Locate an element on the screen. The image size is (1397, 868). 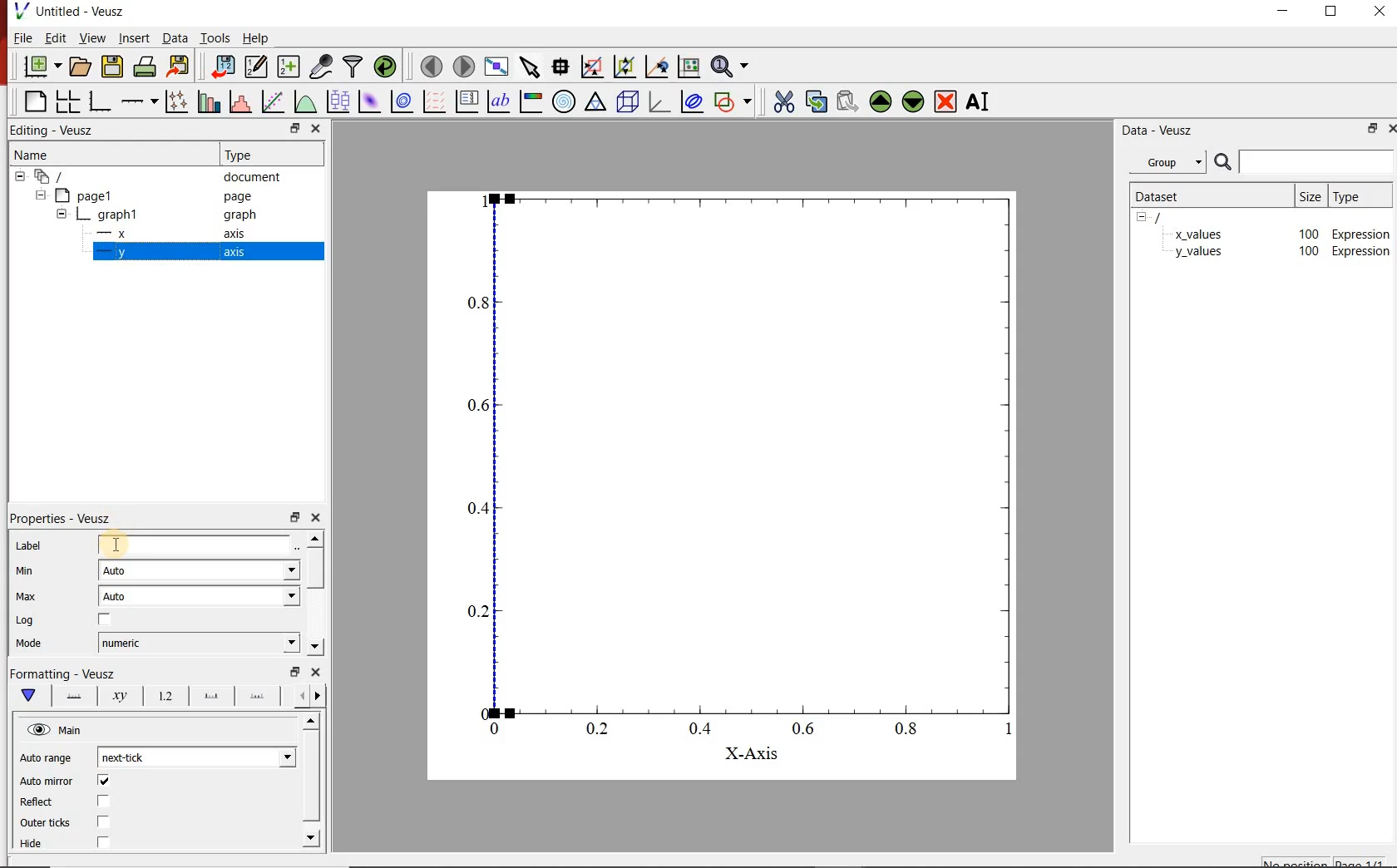
close is located at coordinates (316, 516).